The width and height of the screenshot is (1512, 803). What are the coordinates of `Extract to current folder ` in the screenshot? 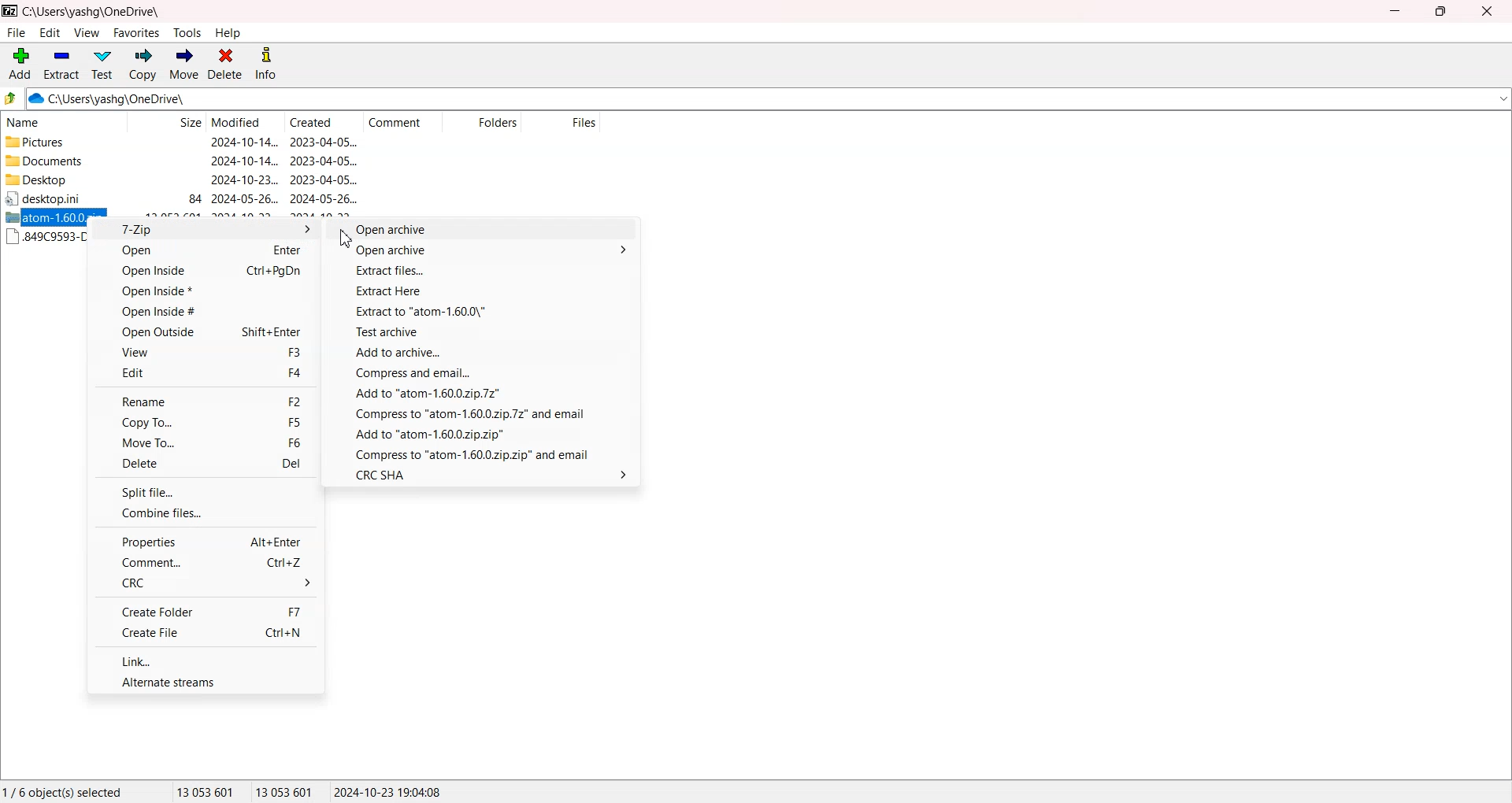 It's located at (485, 313).